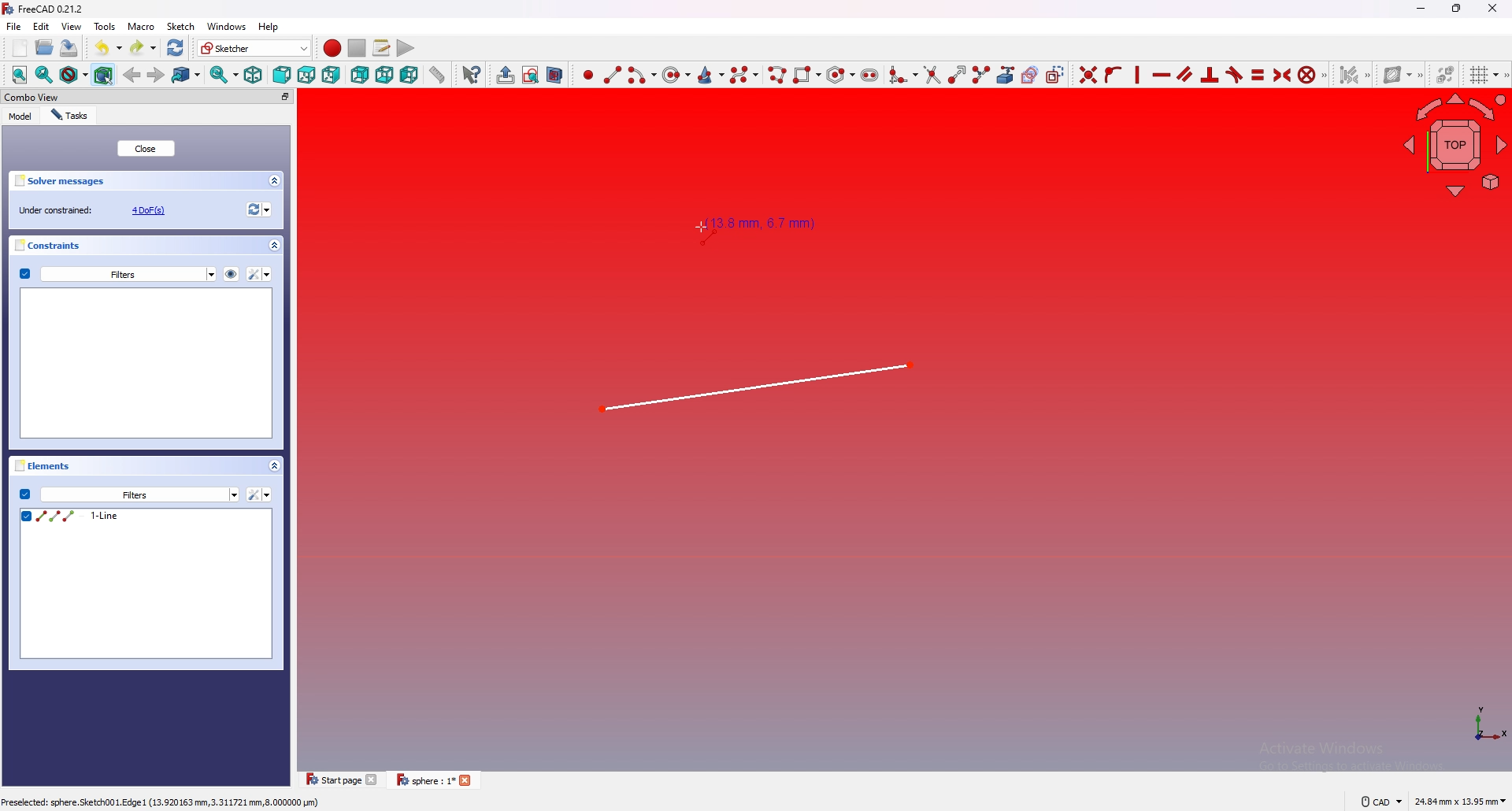 This screenshot has width=1512, height=811. I want to click on Macros ..., so click(380, 48).